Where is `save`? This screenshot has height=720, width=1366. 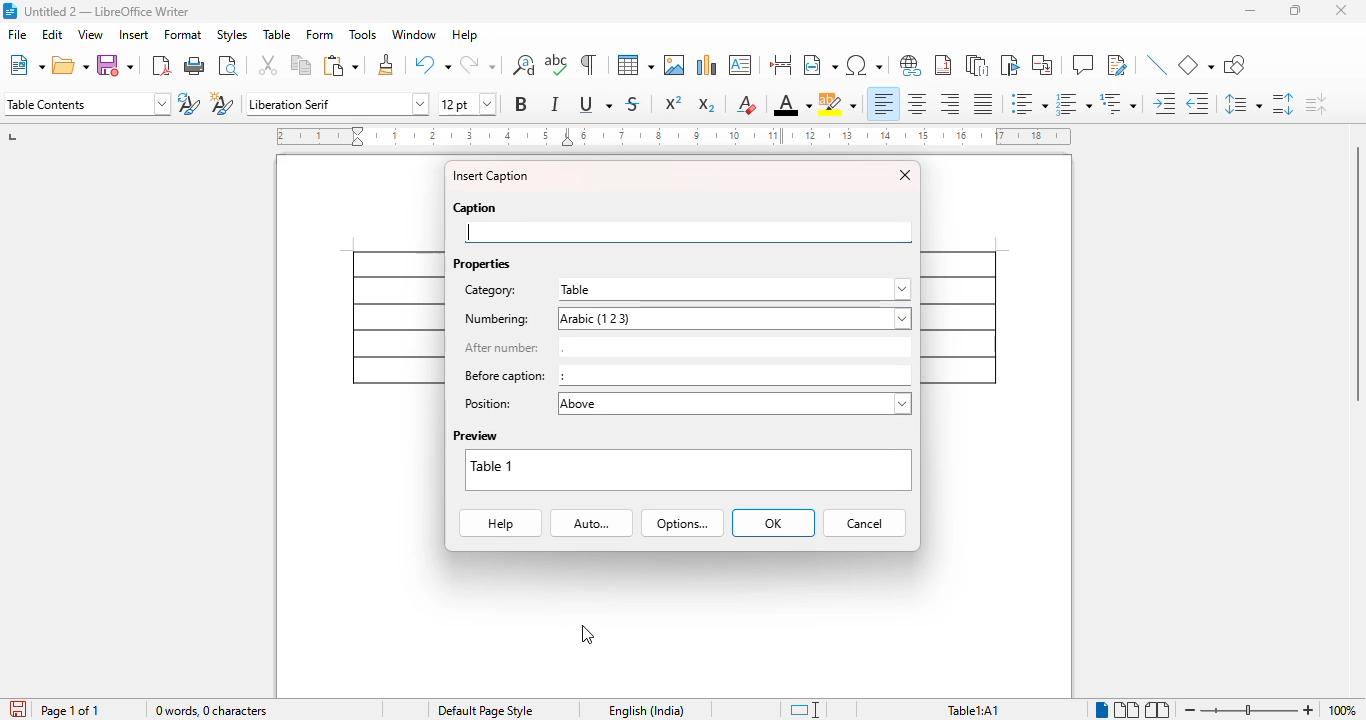
save is located at coordinates (114, 65).